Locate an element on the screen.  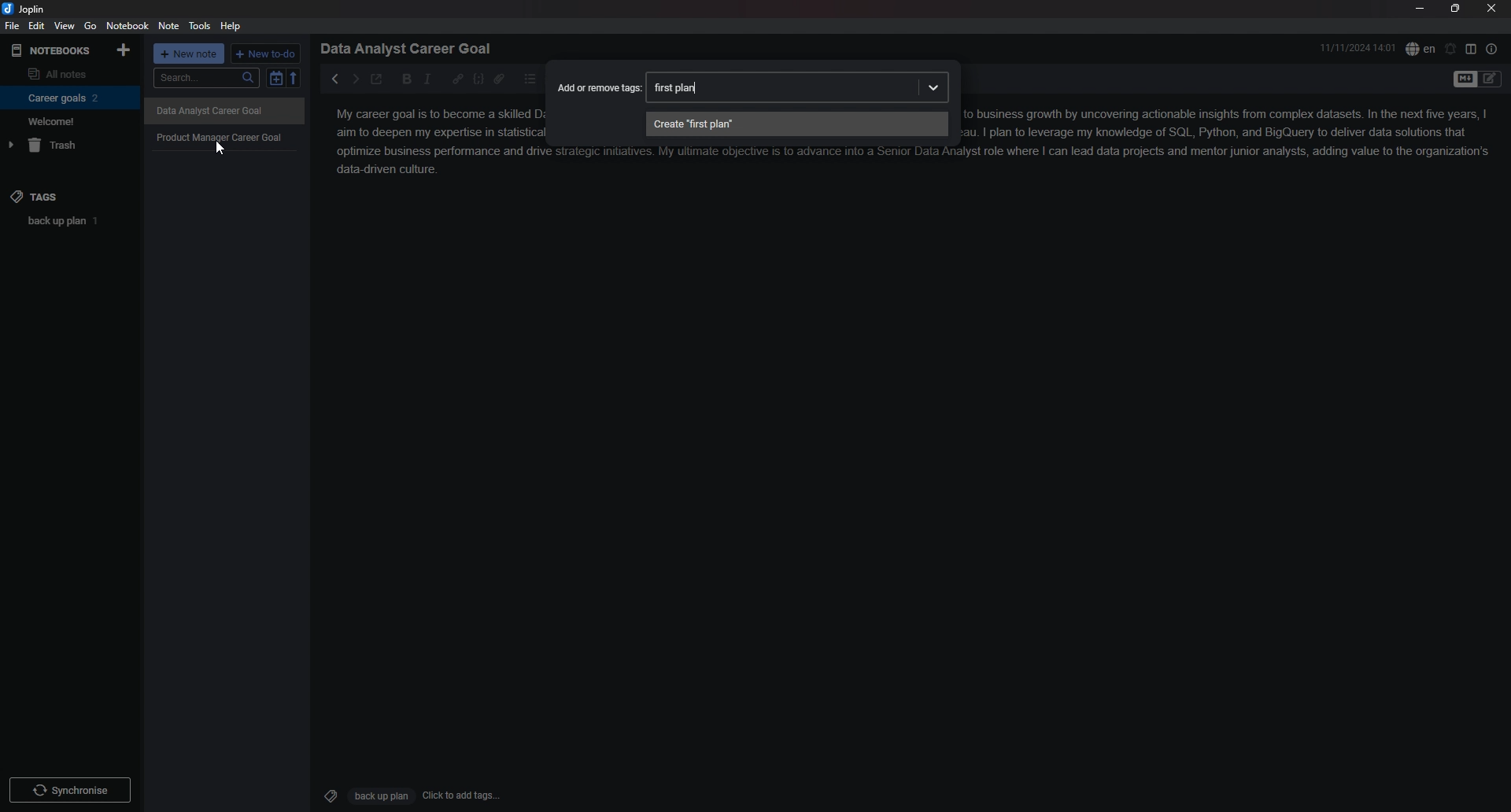
file is located at coordinates (13, 25).